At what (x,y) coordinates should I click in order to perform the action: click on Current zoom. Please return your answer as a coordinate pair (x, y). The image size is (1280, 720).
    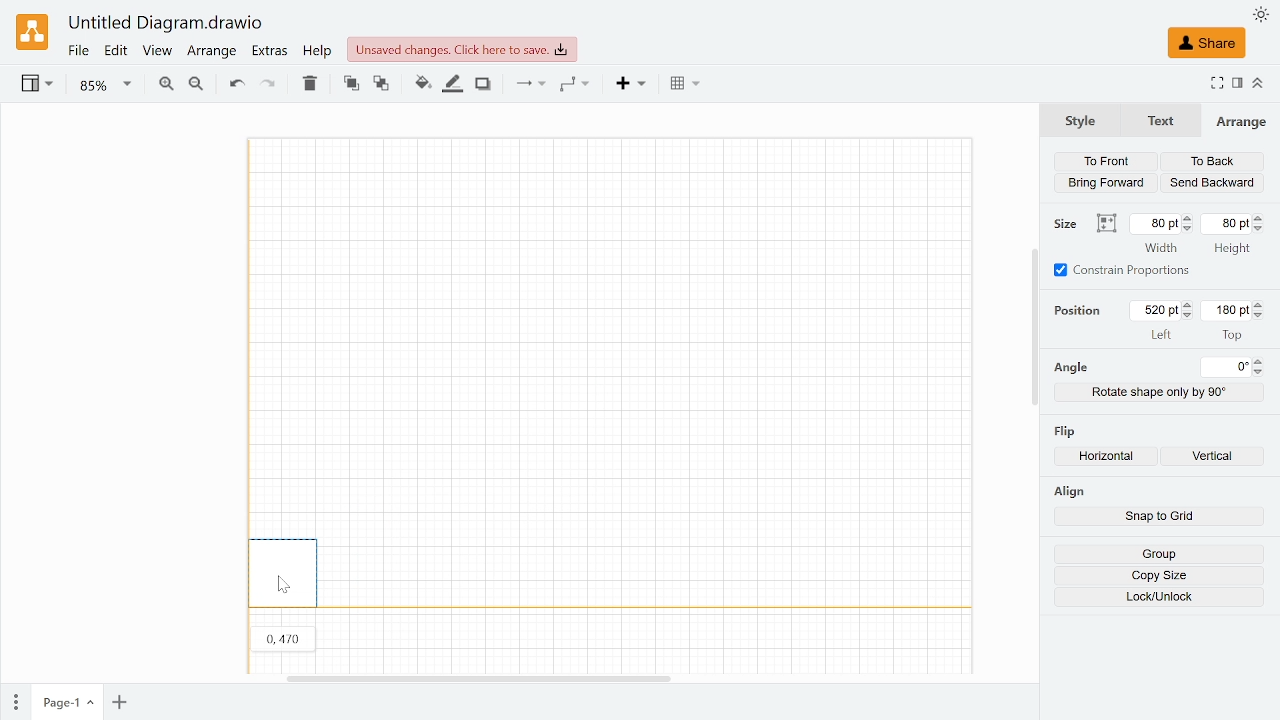
    Looking at the image, I should click on (106, 85).